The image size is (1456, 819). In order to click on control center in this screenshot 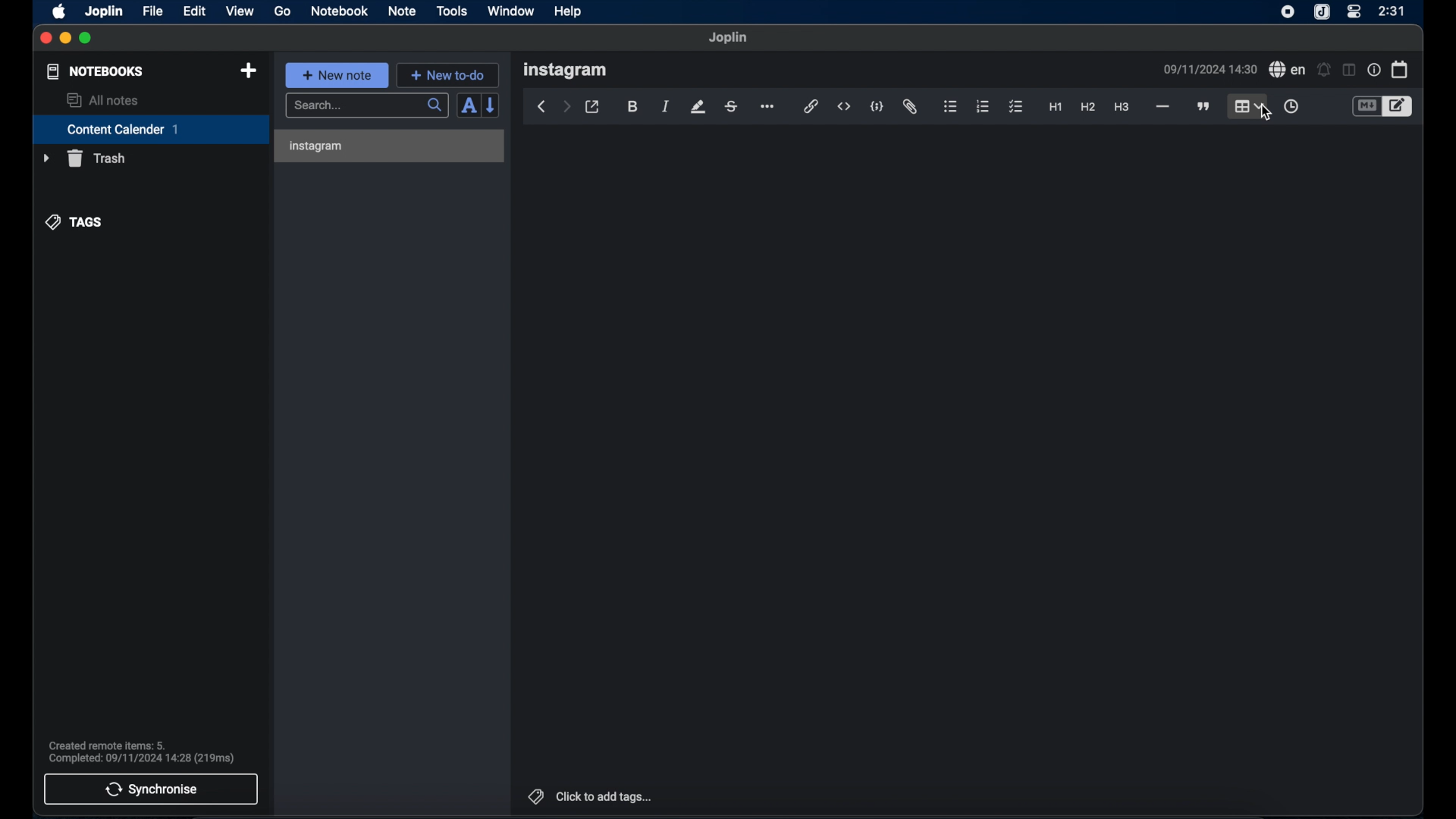, I will do `click(1354, 12)`.